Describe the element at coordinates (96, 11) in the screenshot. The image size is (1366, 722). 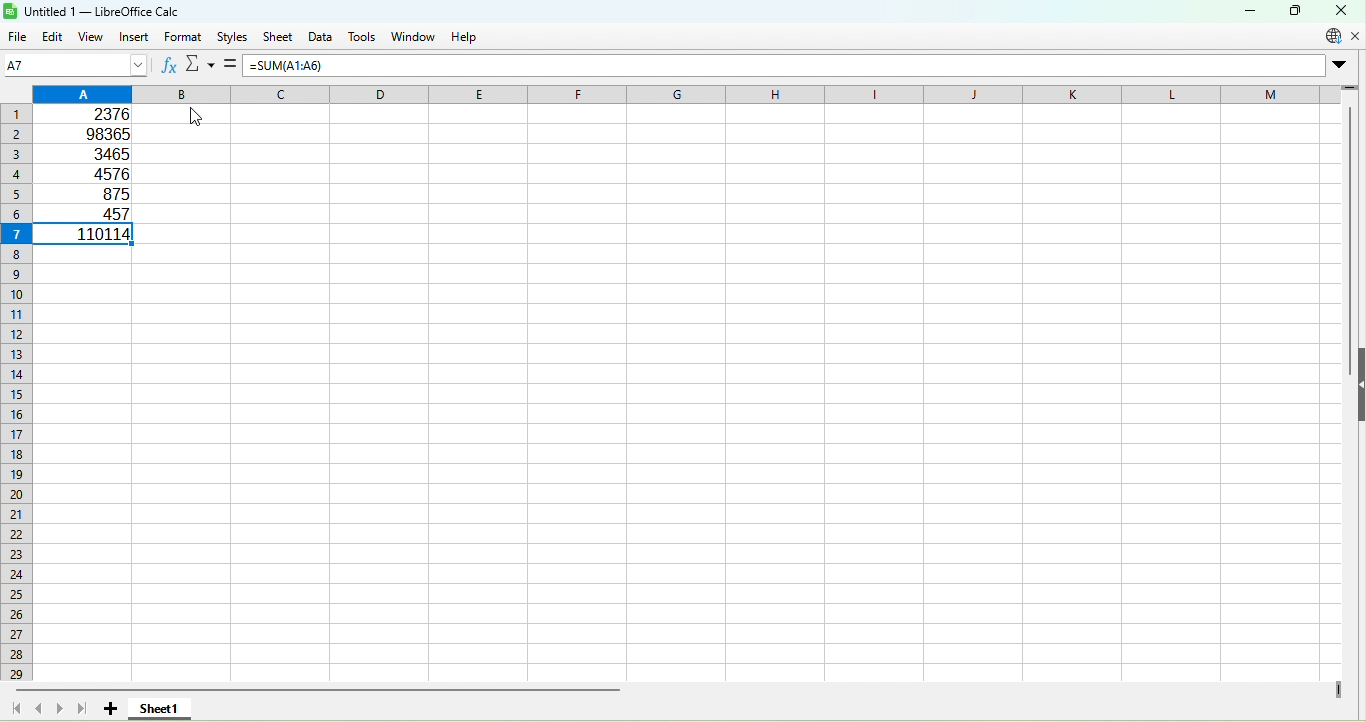
I see `Untitled 1 — LibreOffice Calc` at that location.